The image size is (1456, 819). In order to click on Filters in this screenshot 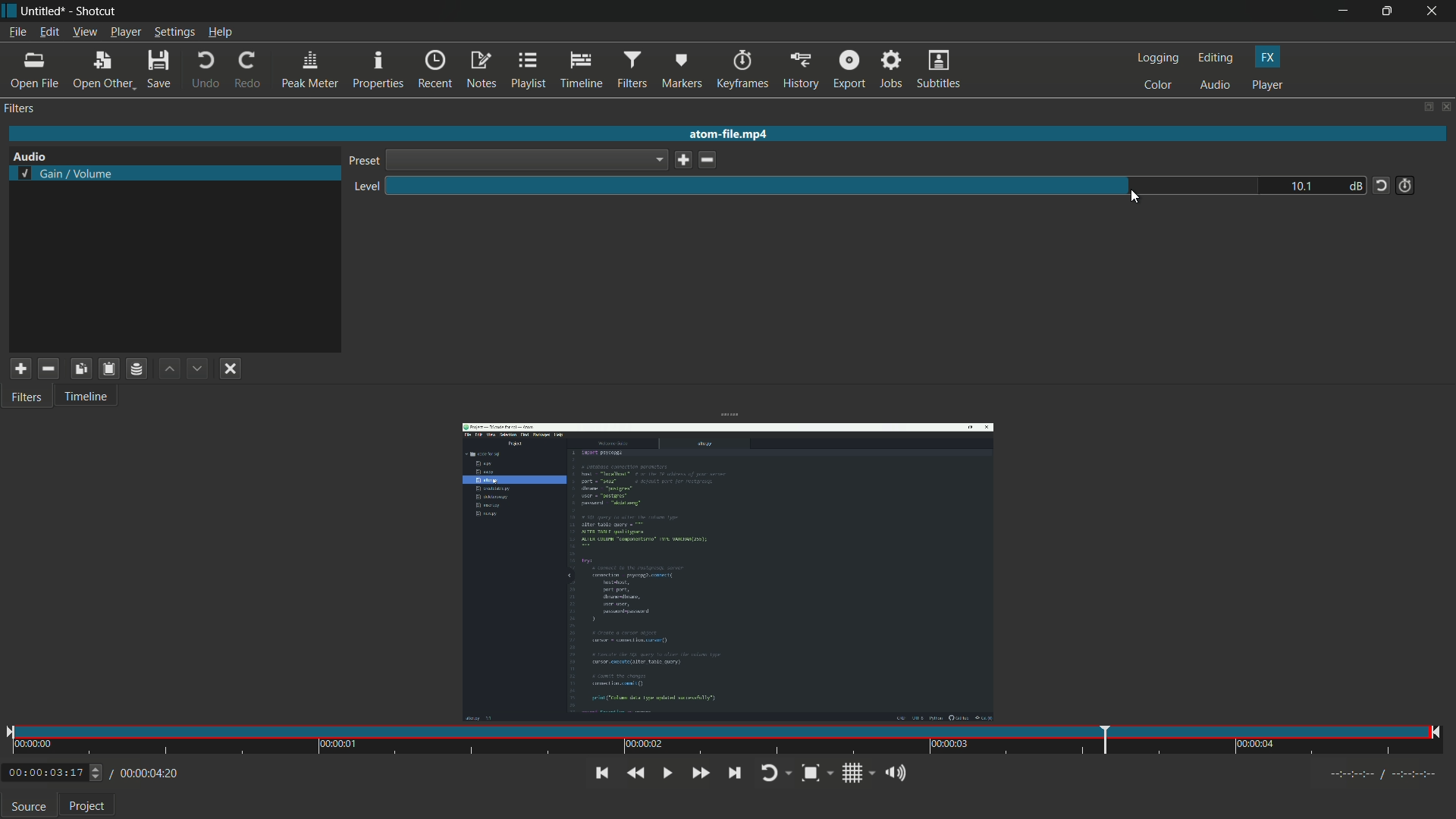, I will do `click(29, 399)`.